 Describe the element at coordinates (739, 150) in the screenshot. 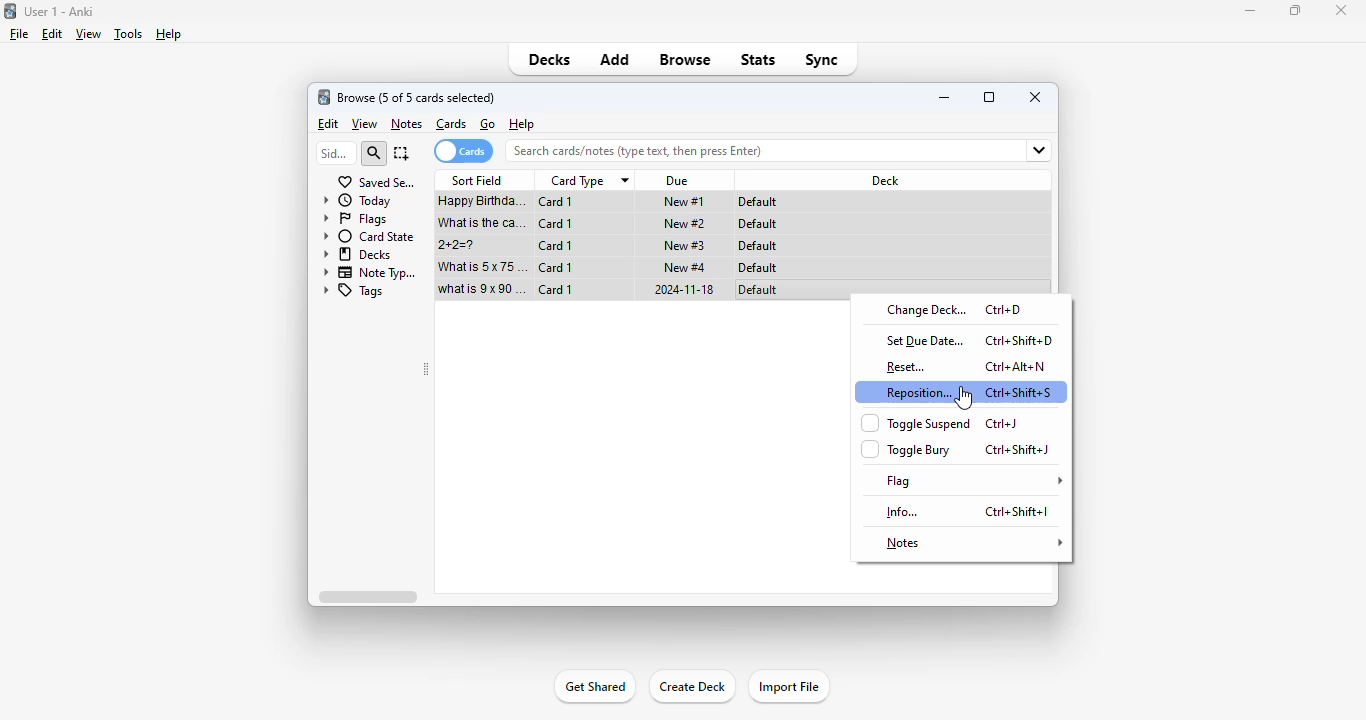

I see `search bar` at that location.